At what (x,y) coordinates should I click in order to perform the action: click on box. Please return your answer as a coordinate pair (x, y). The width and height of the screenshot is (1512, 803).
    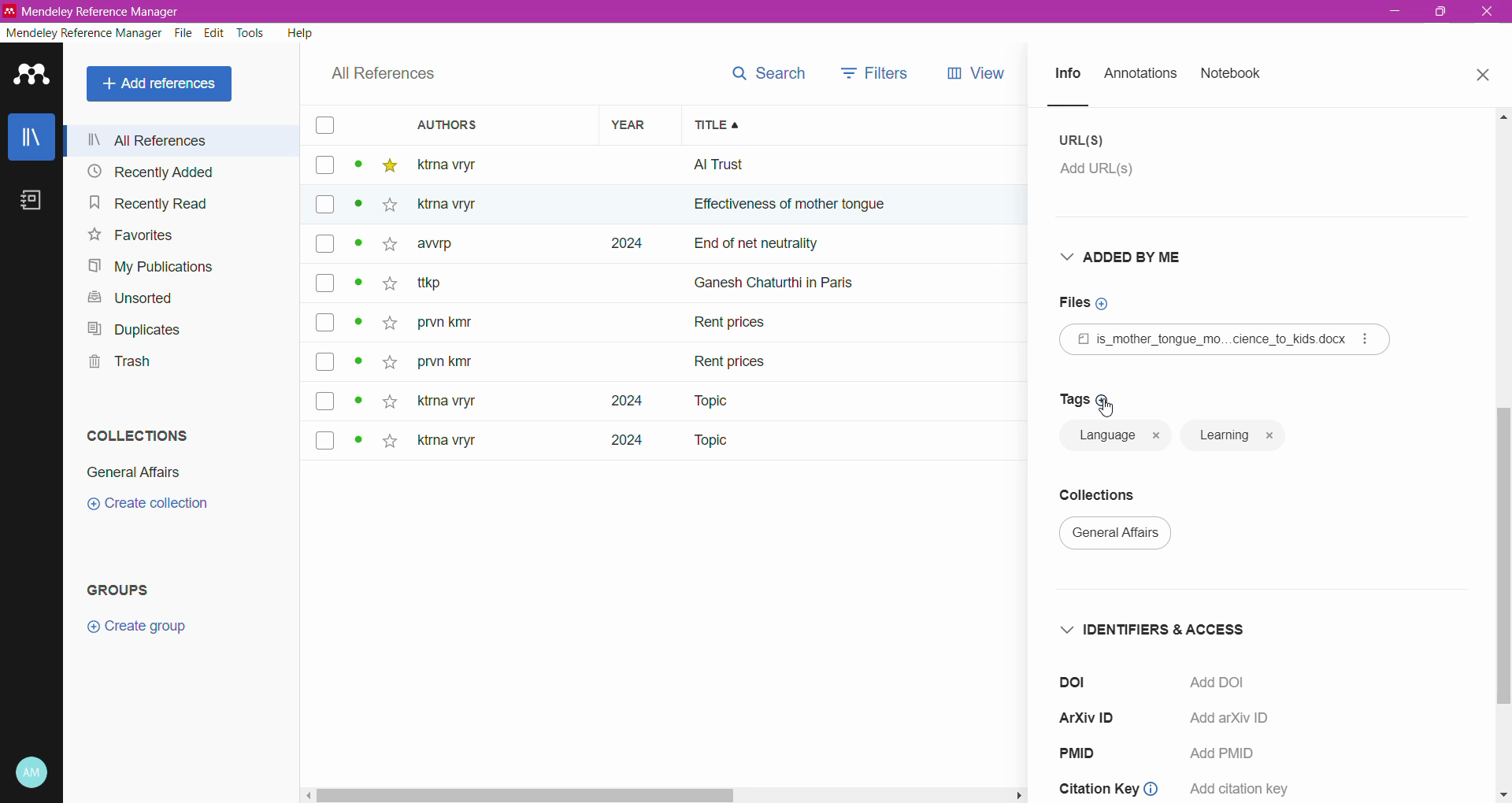
    Looking at the image, I should click on (325, 439).